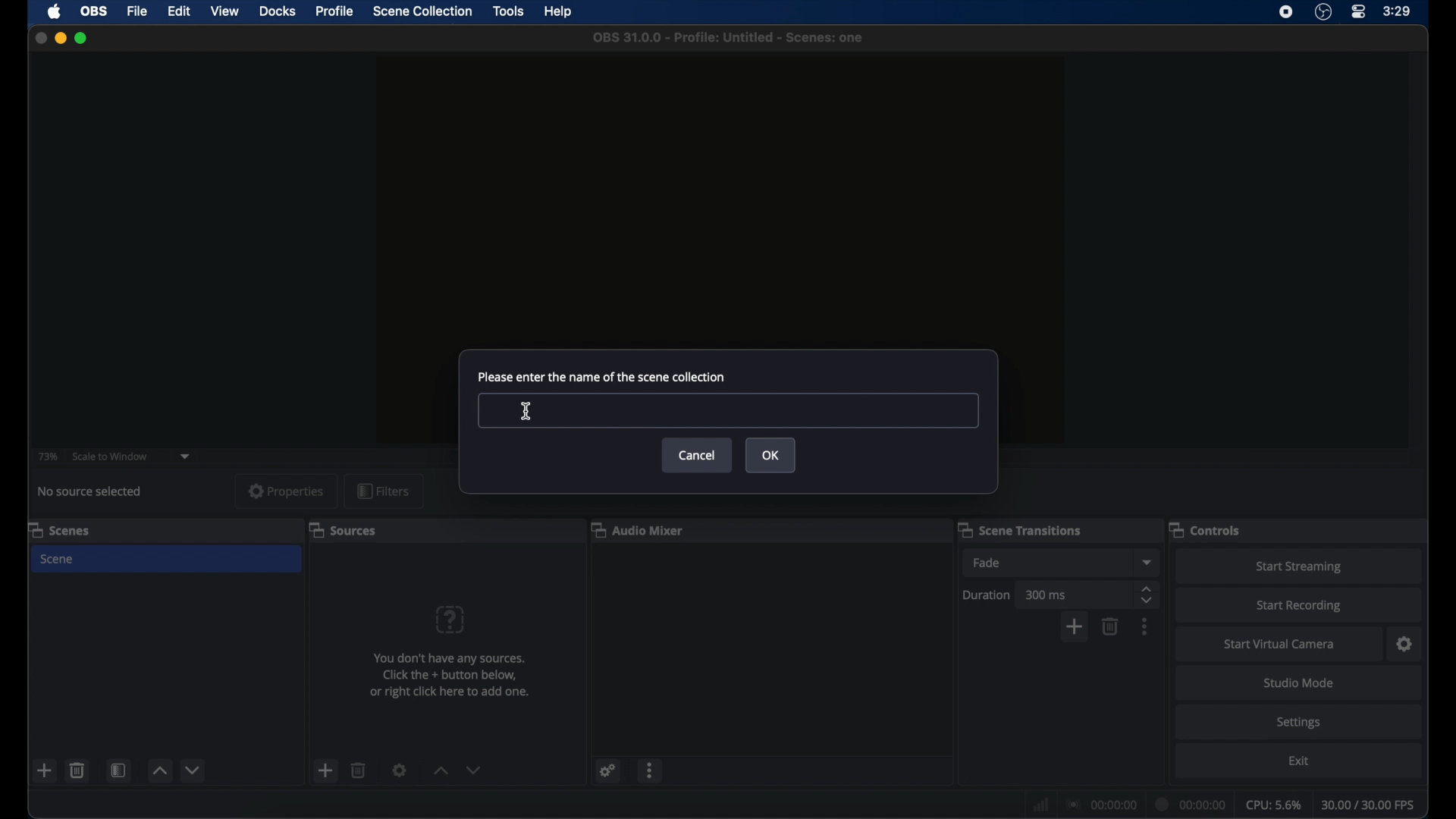 Image resolution: width=1456 pixels, height=819 pixels. Describe the element at coordinates (158, 772) in the screenshot. I see `increment` at that location.